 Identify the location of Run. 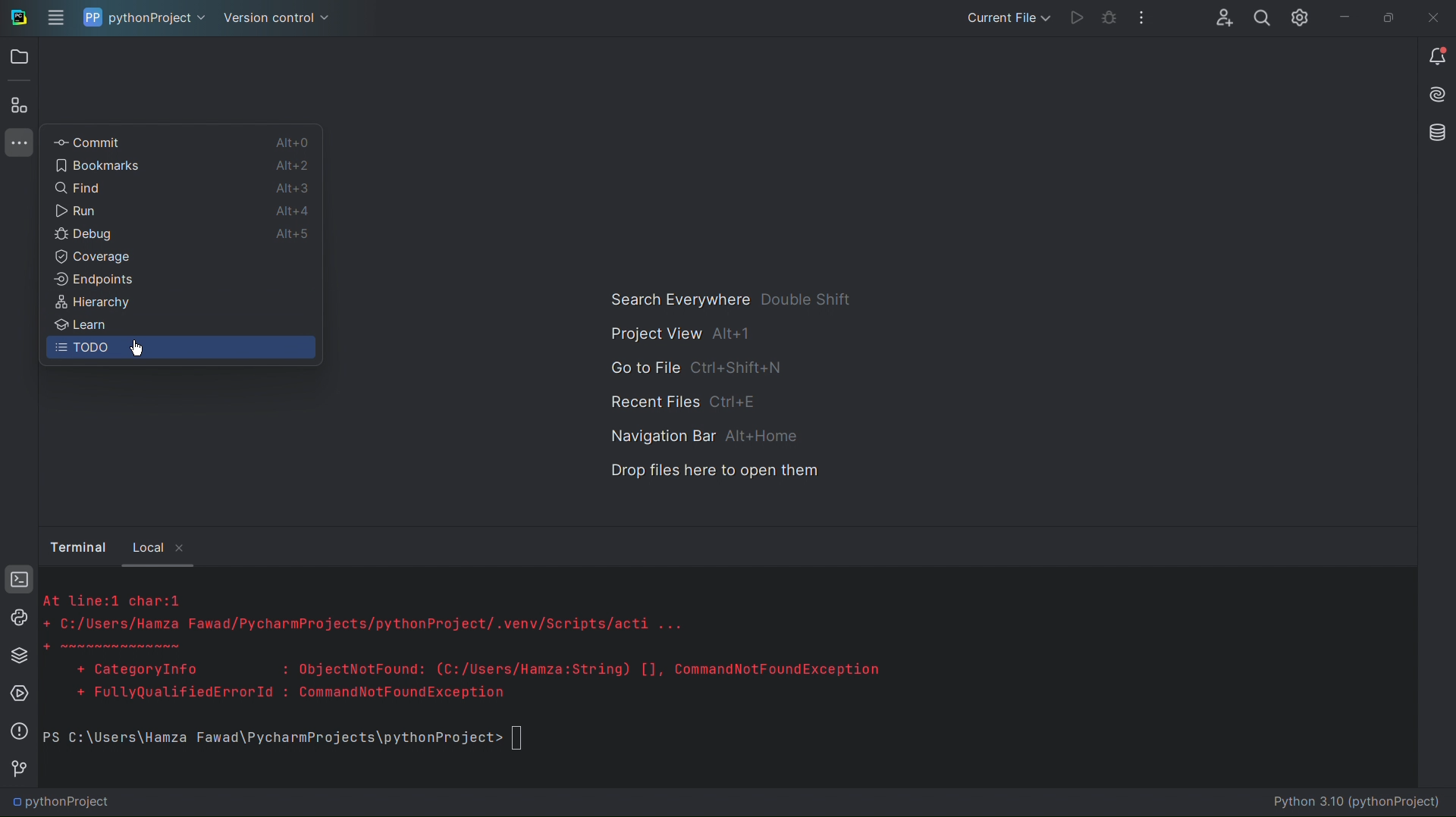
(78, 210).